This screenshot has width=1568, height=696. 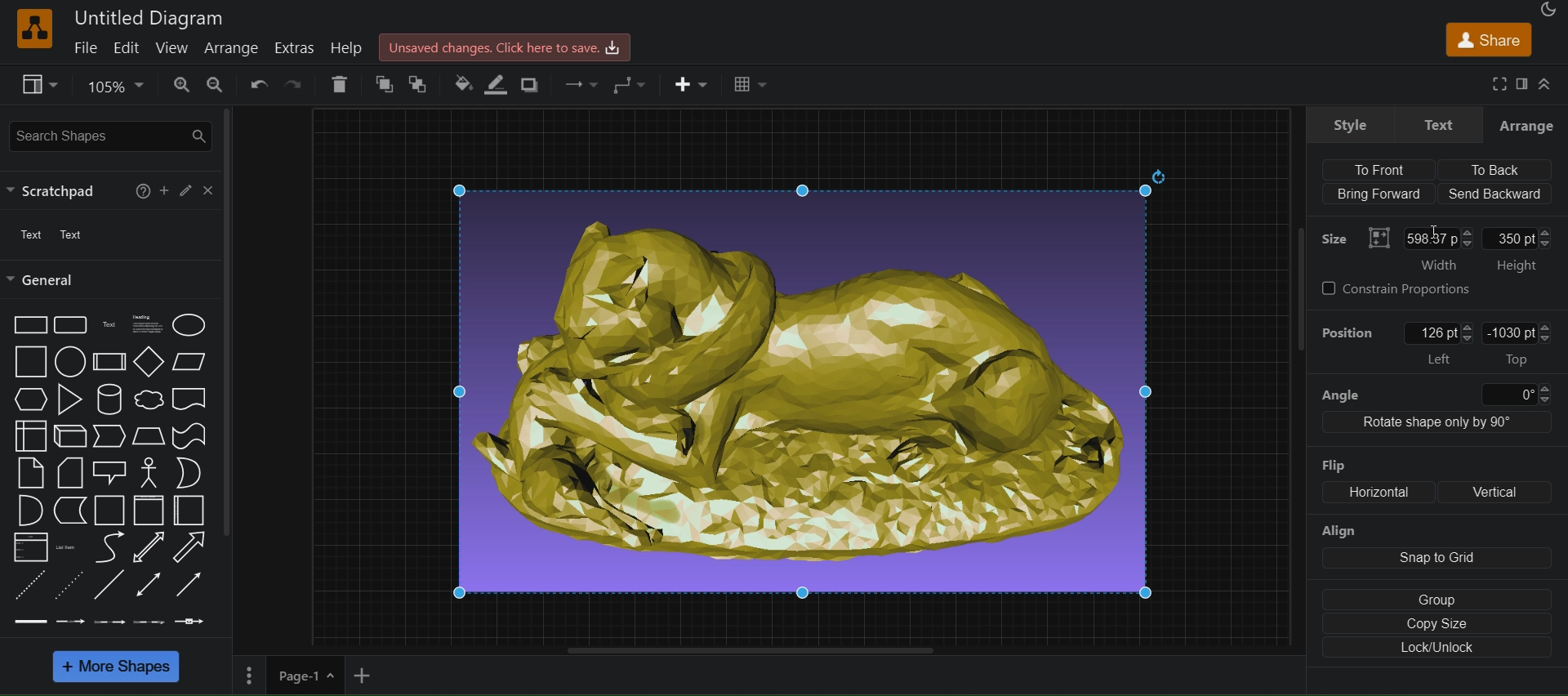 I want to click on Rotate shape only by 90 degree, so click(x=1436, y=425).